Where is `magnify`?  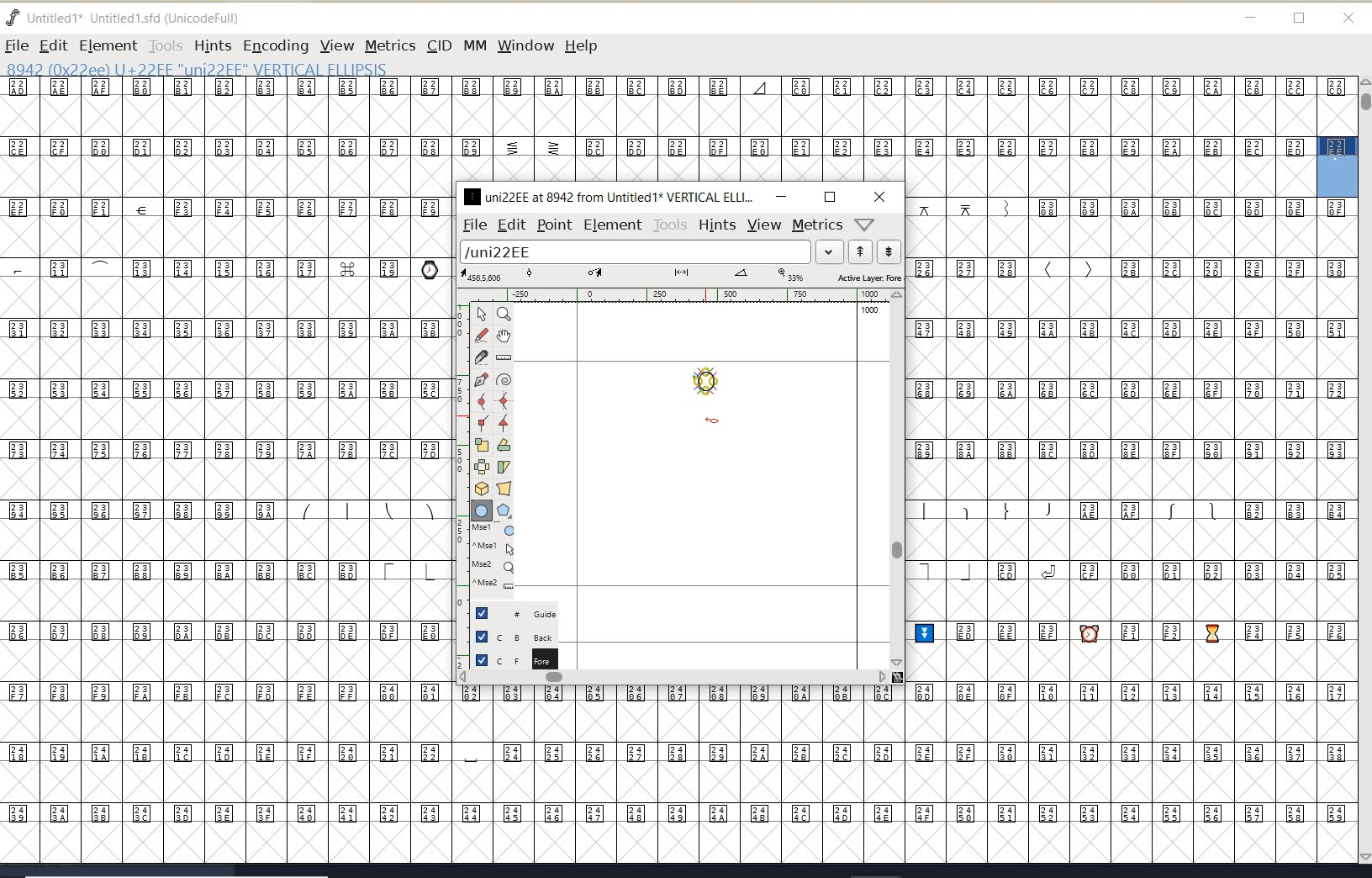
magnify is located at coordinates (504, 314).